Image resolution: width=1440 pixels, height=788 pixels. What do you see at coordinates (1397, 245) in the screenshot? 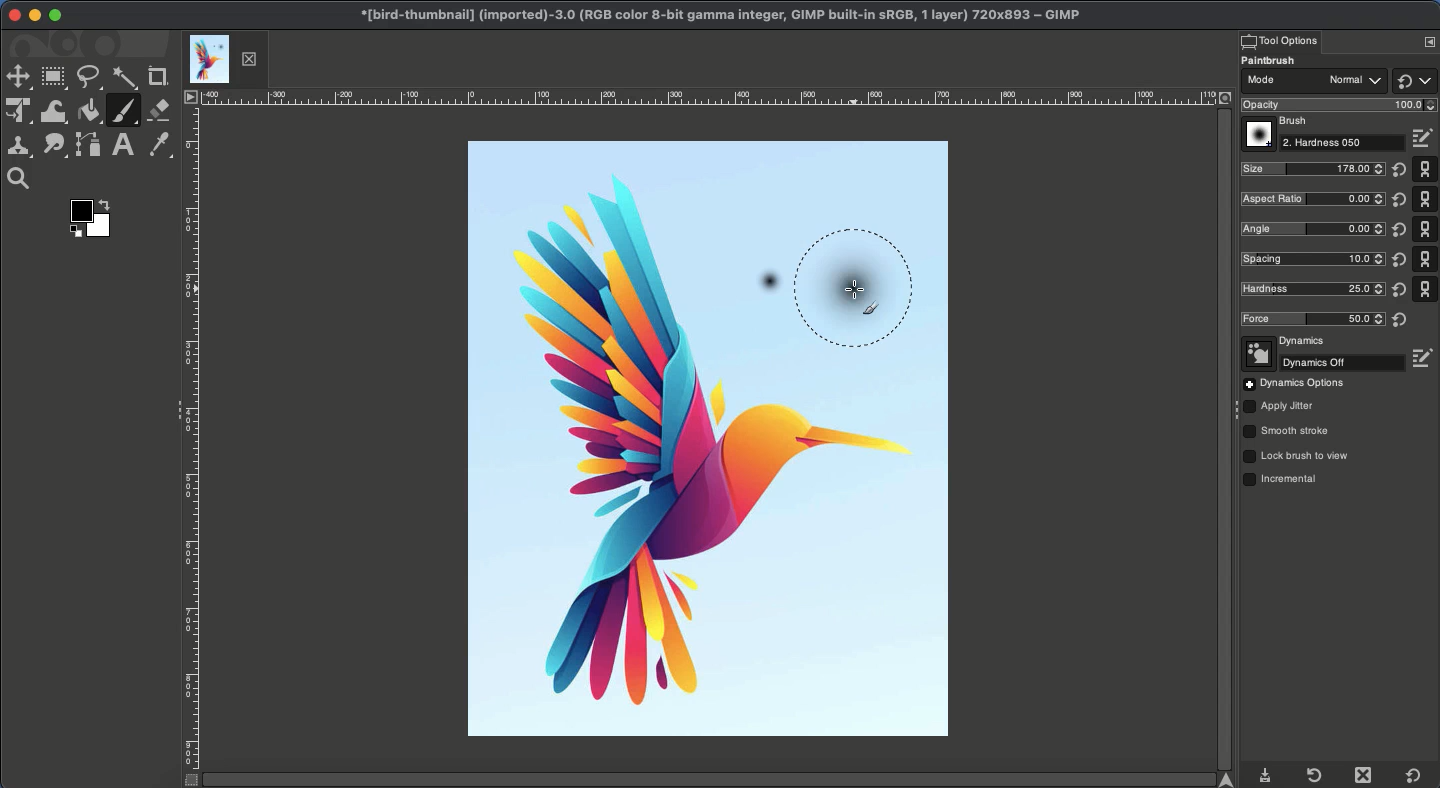
I see `Reset` at bounding box center [1397, 245].